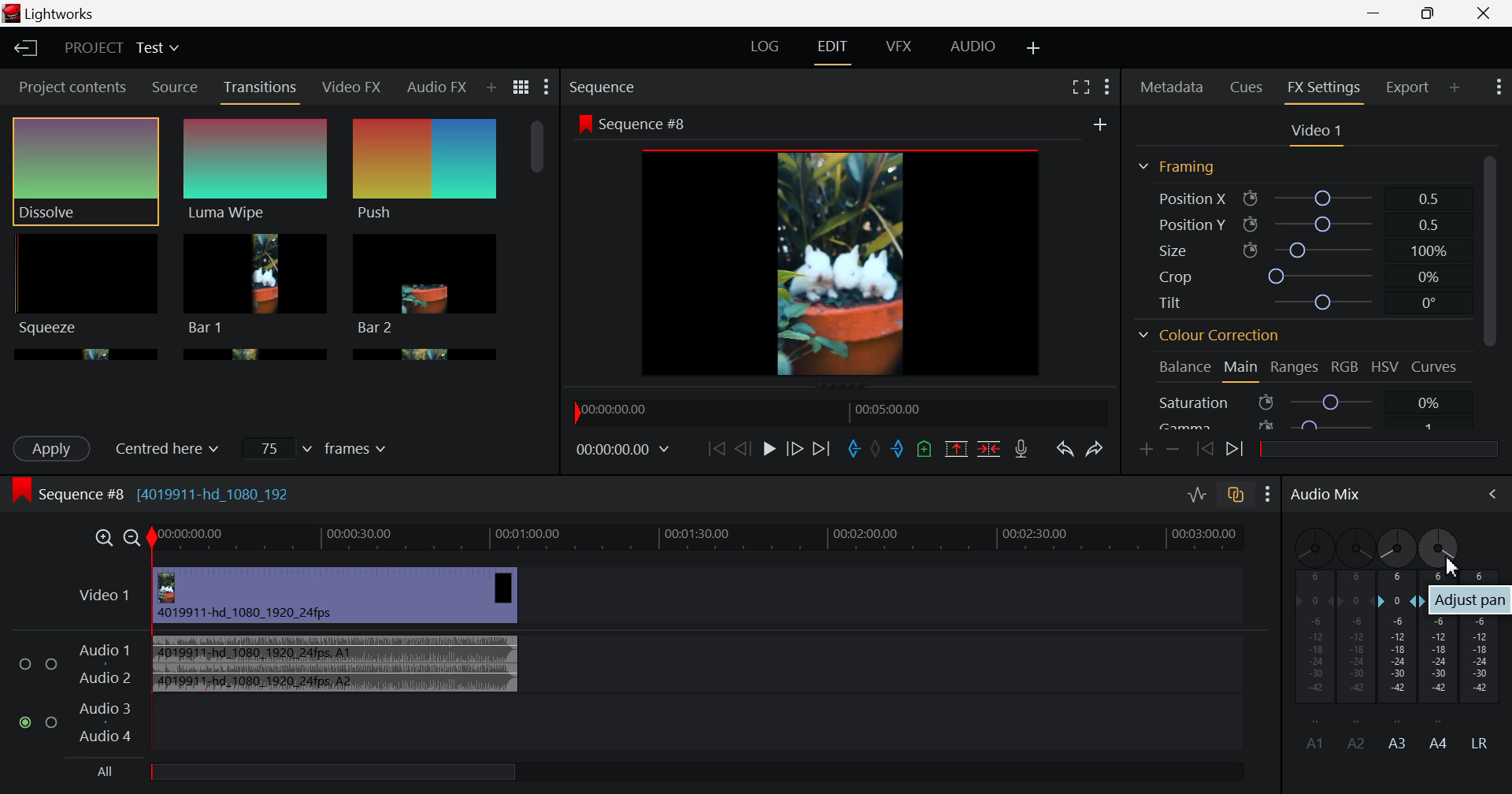 This screenshot has width=1512, height=794. Describe the element at coordinates (156, 493) in the screenshot. I see `Sequence #8 (4019911-hd_1080_192)` at that location.